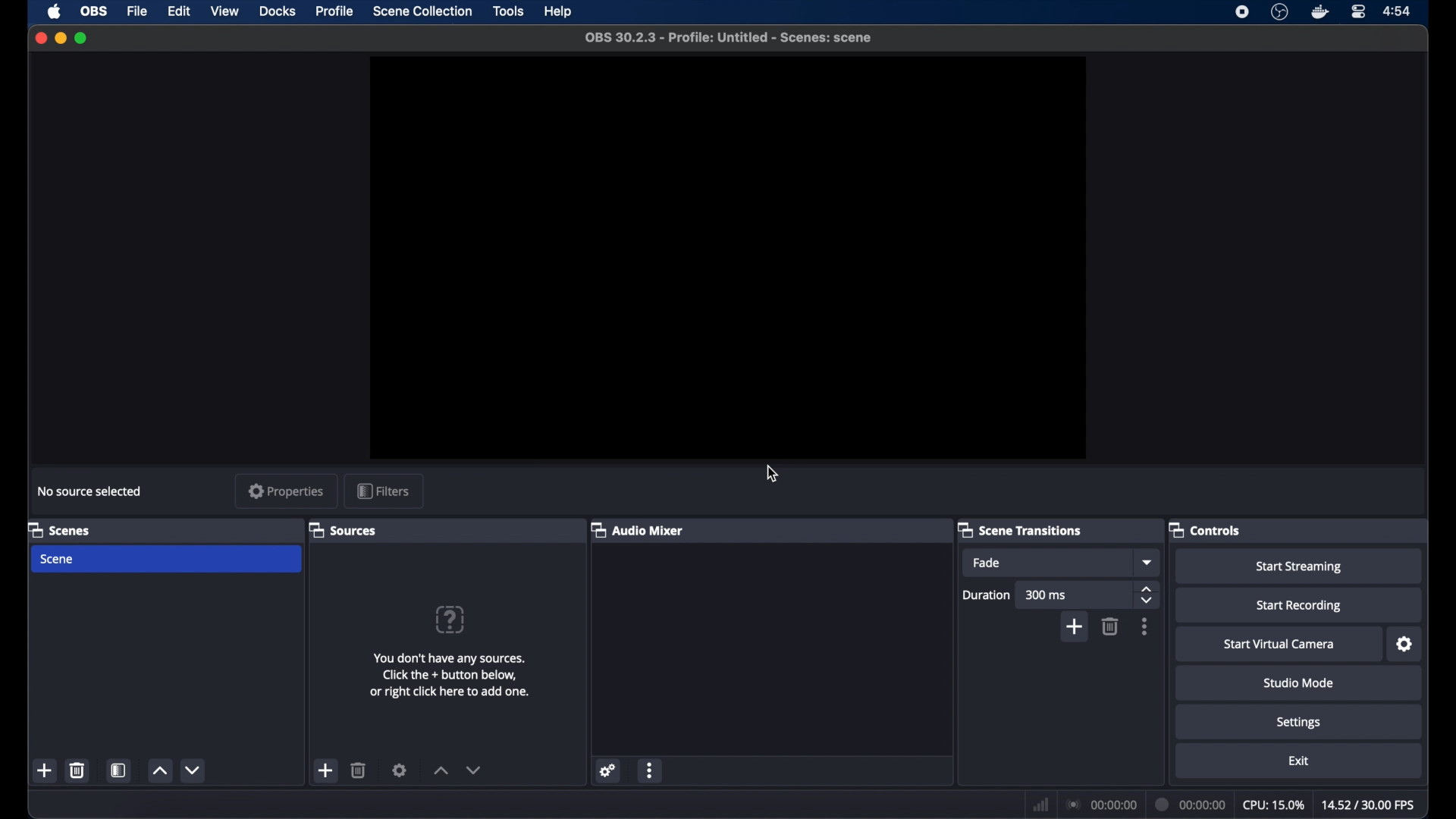  What do you see at coordinates (1103, 802) in the screenshot?
I see `connection` at bounding box center [1103, 802].